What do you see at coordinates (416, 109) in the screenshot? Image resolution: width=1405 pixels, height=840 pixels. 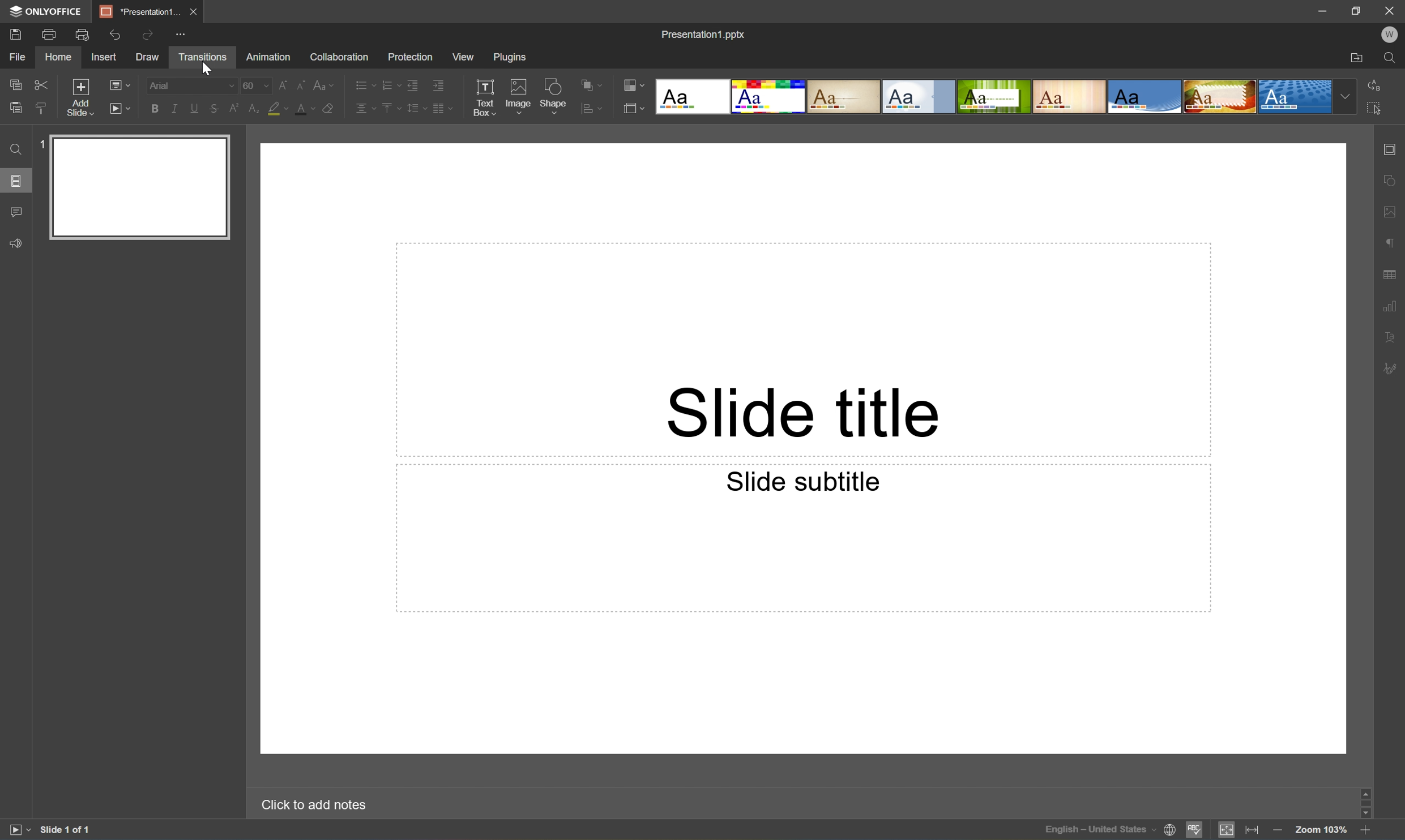 I see `Line spacing` at bounding box center [416, 109].